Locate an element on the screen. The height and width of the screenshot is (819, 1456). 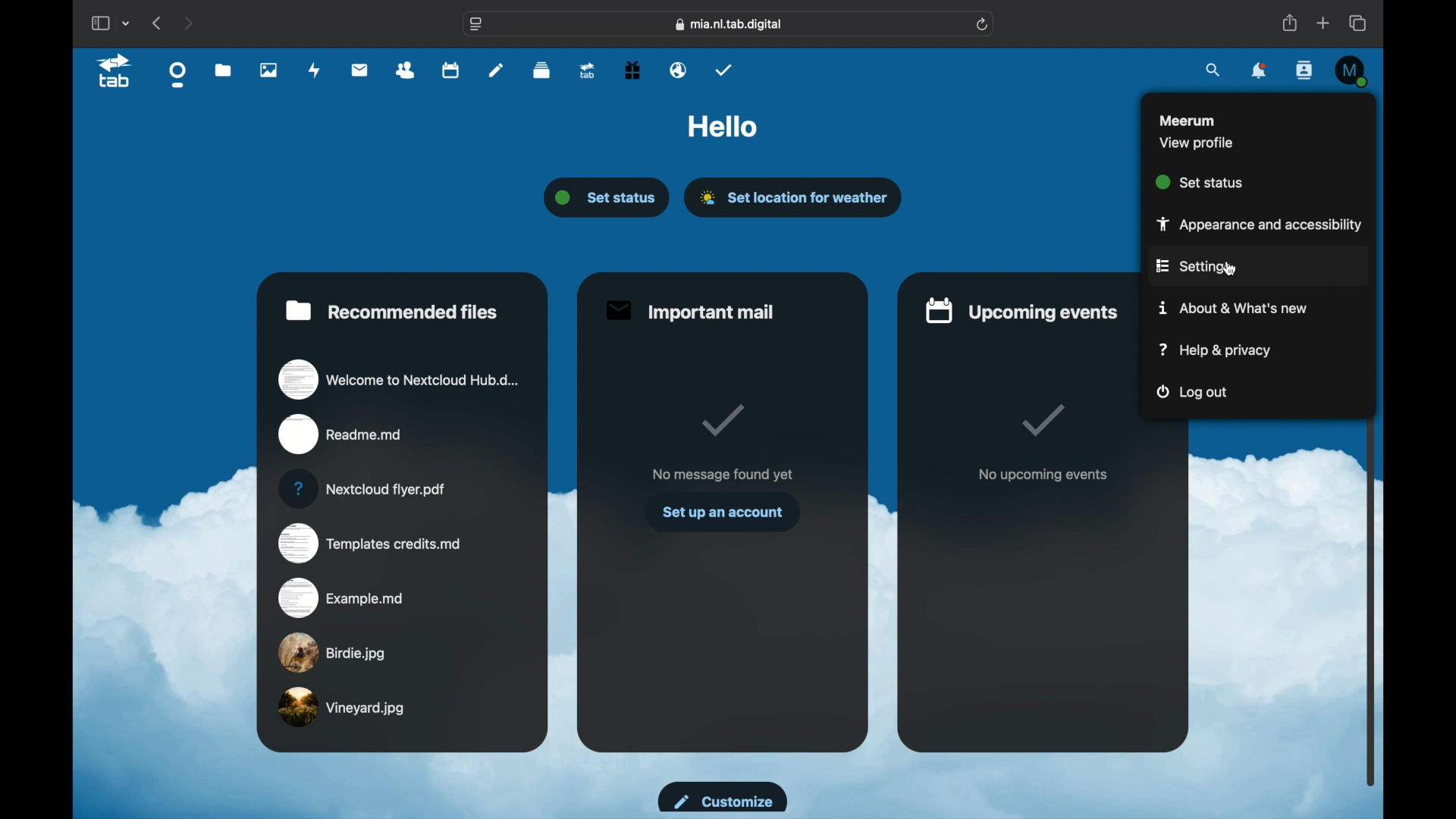
next is located at coordinates (190, 23).